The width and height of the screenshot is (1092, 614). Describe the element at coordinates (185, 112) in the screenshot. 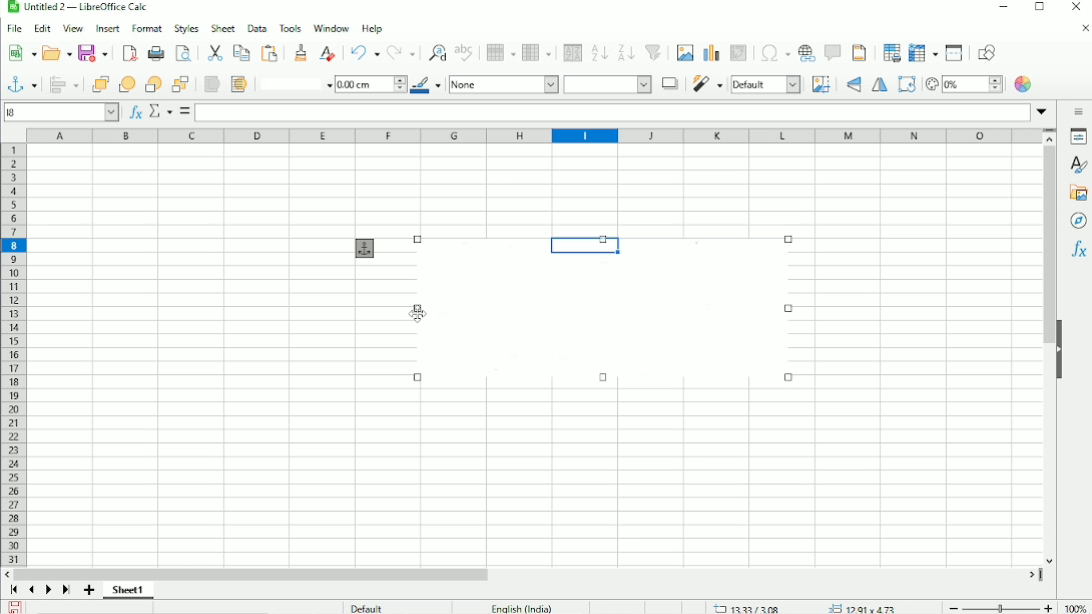

I see `Formula` at that location.